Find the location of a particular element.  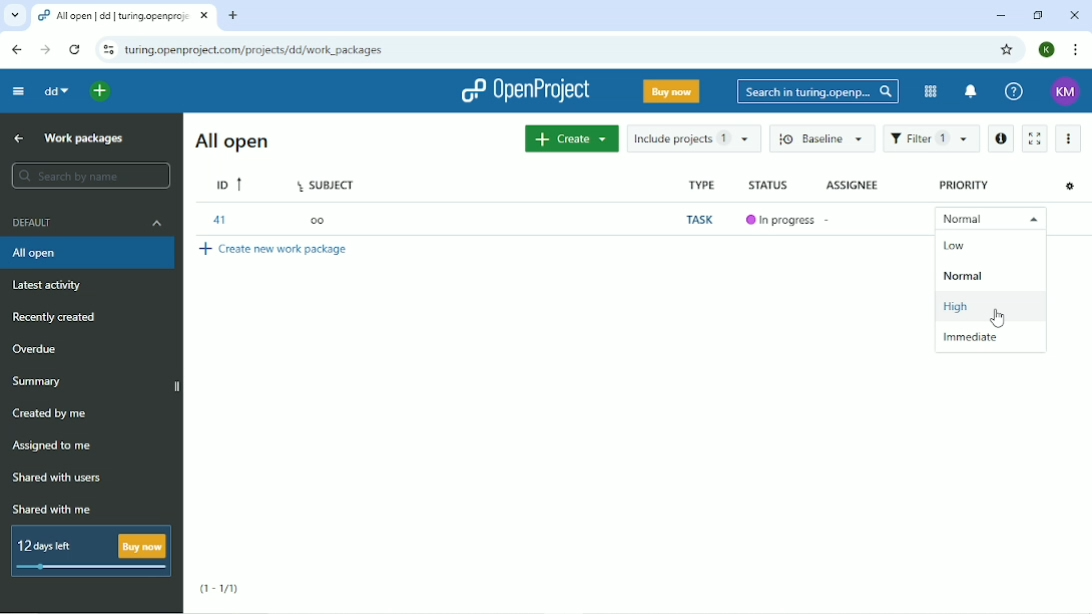

Forward is located at coordinates (45, 50).